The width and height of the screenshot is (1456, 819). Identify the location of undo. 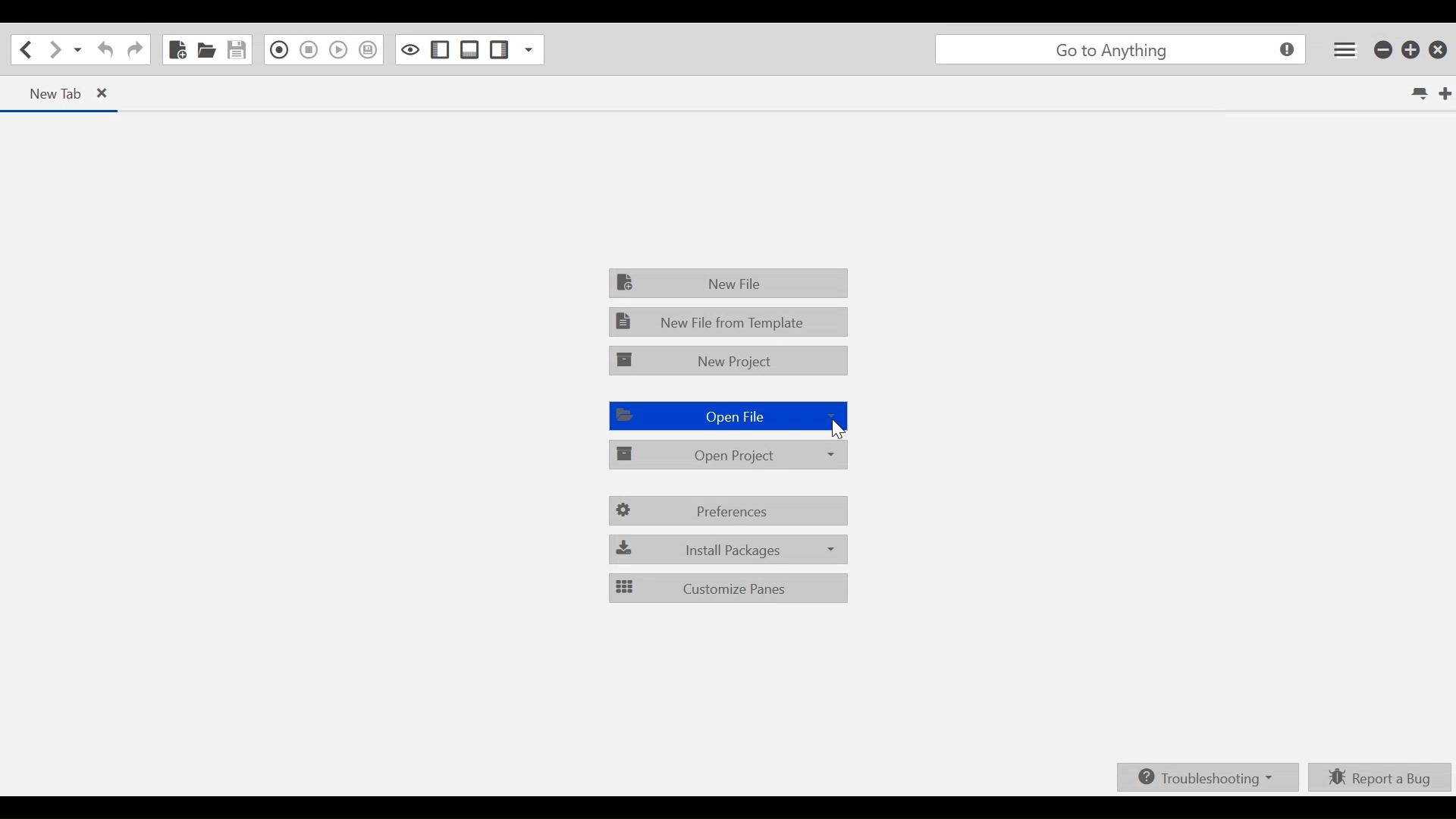
(103, 50).